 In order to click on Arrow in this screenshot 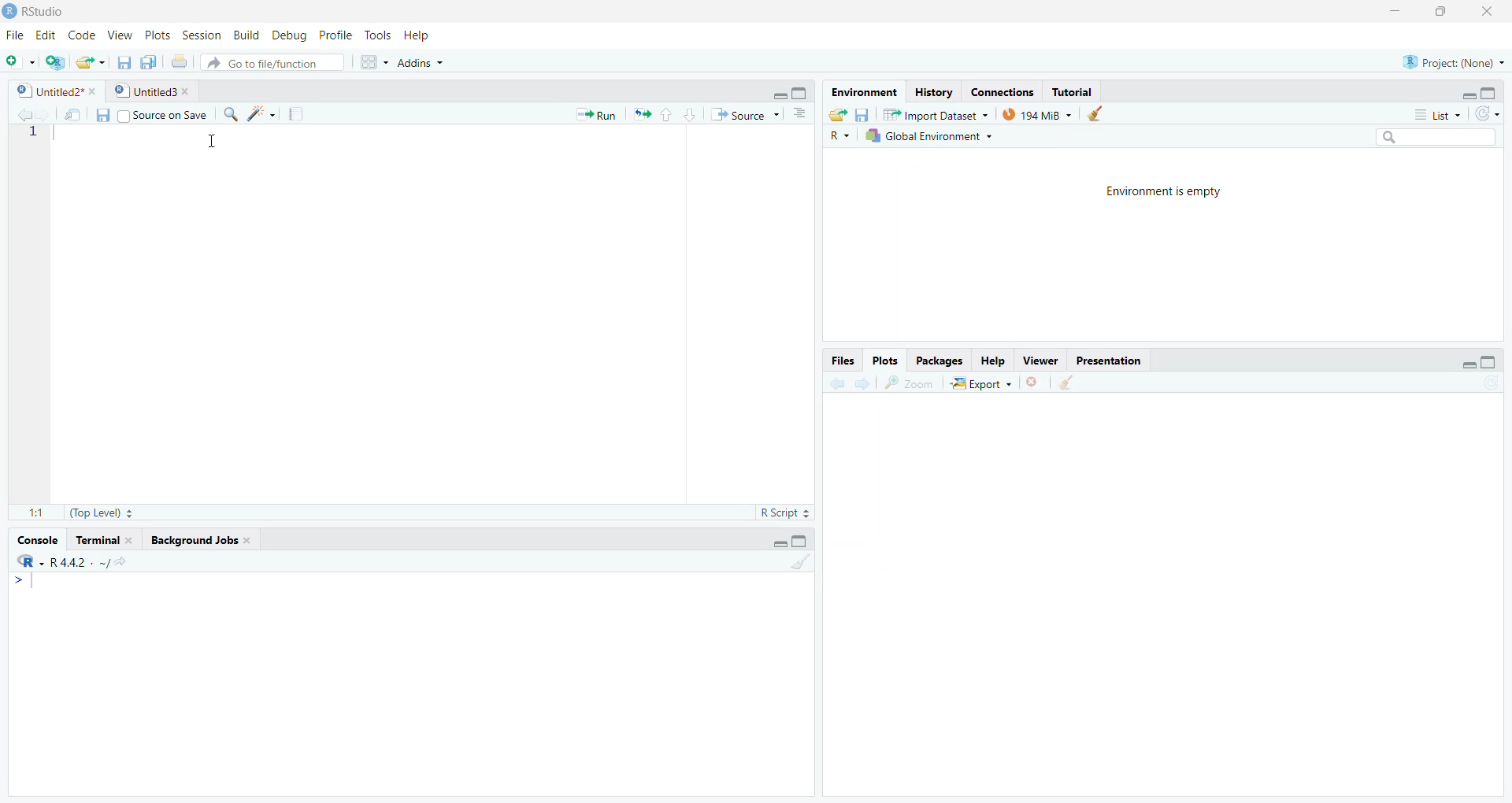, I will do `click(18, 583)`.